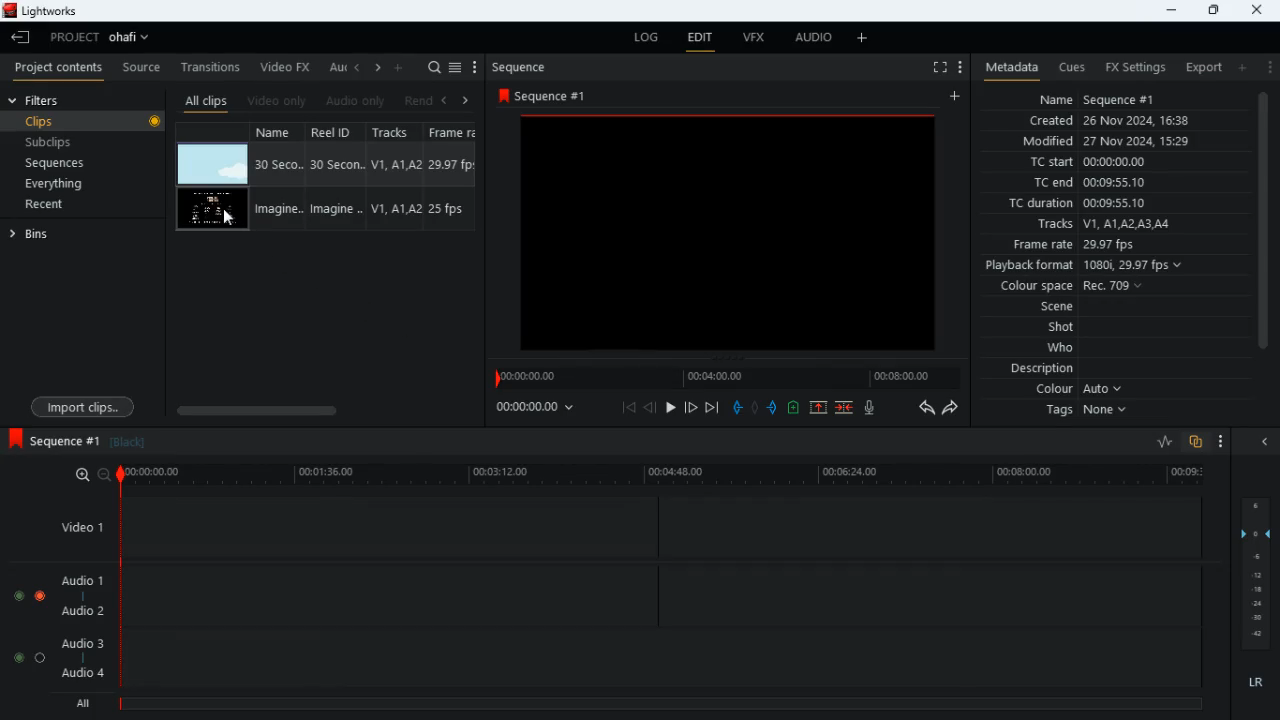 This screenshot has height=720, width=1280. What do you see at coordinates (82, 233) in the screenshot?
I see `bins` at bounding box center [82, 233].